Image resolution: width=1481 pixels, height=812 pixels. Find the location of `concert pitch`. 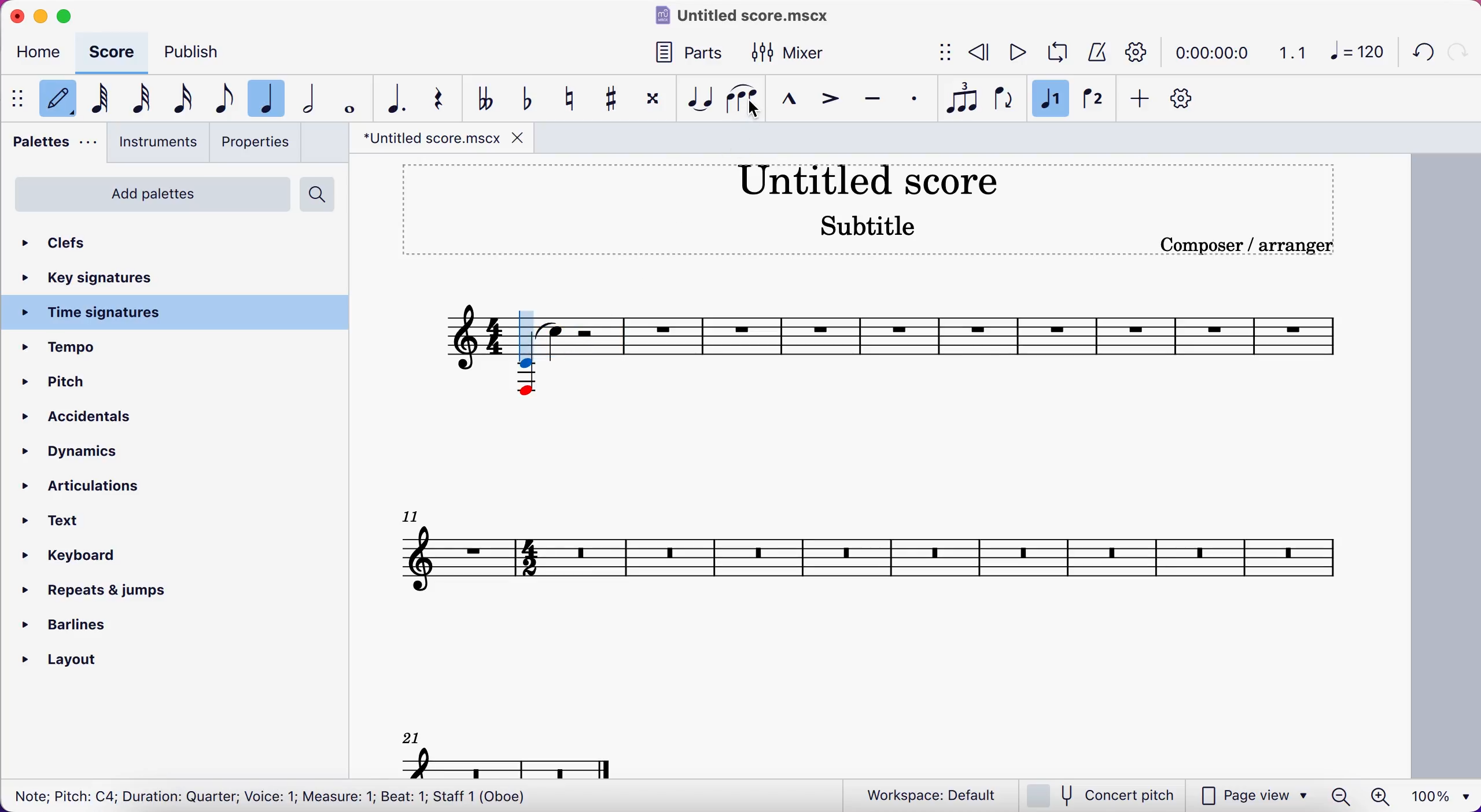

concert pitch is located at coordinates (1099, 795).